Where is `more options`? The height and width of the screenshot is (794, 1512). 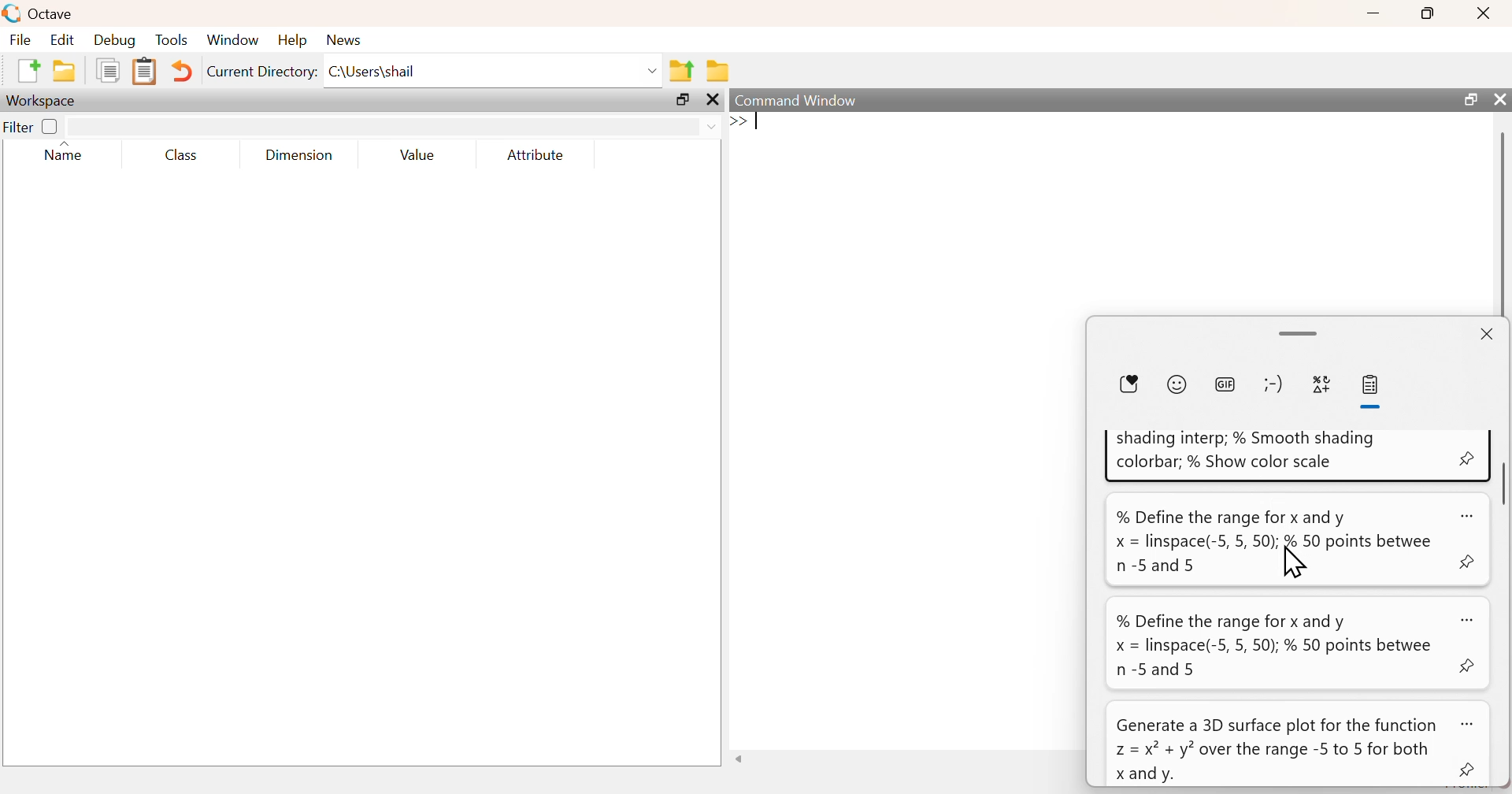 more options is located at coordinates (1471, 724).